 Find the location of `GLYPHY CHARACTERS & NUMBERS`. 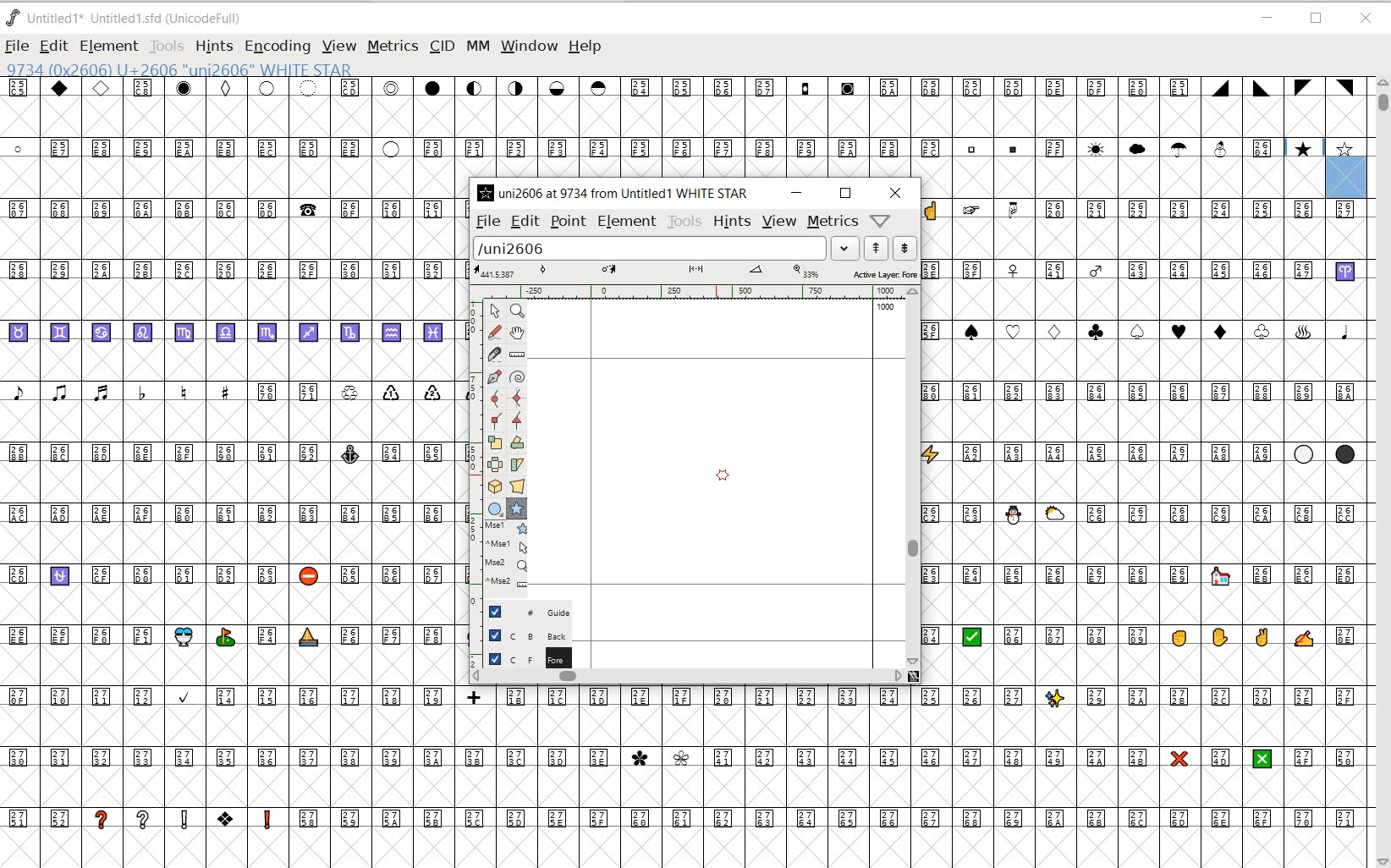

GLYPHY CHARACTERS & NUMBERS is located at coordinates (1144, 684).